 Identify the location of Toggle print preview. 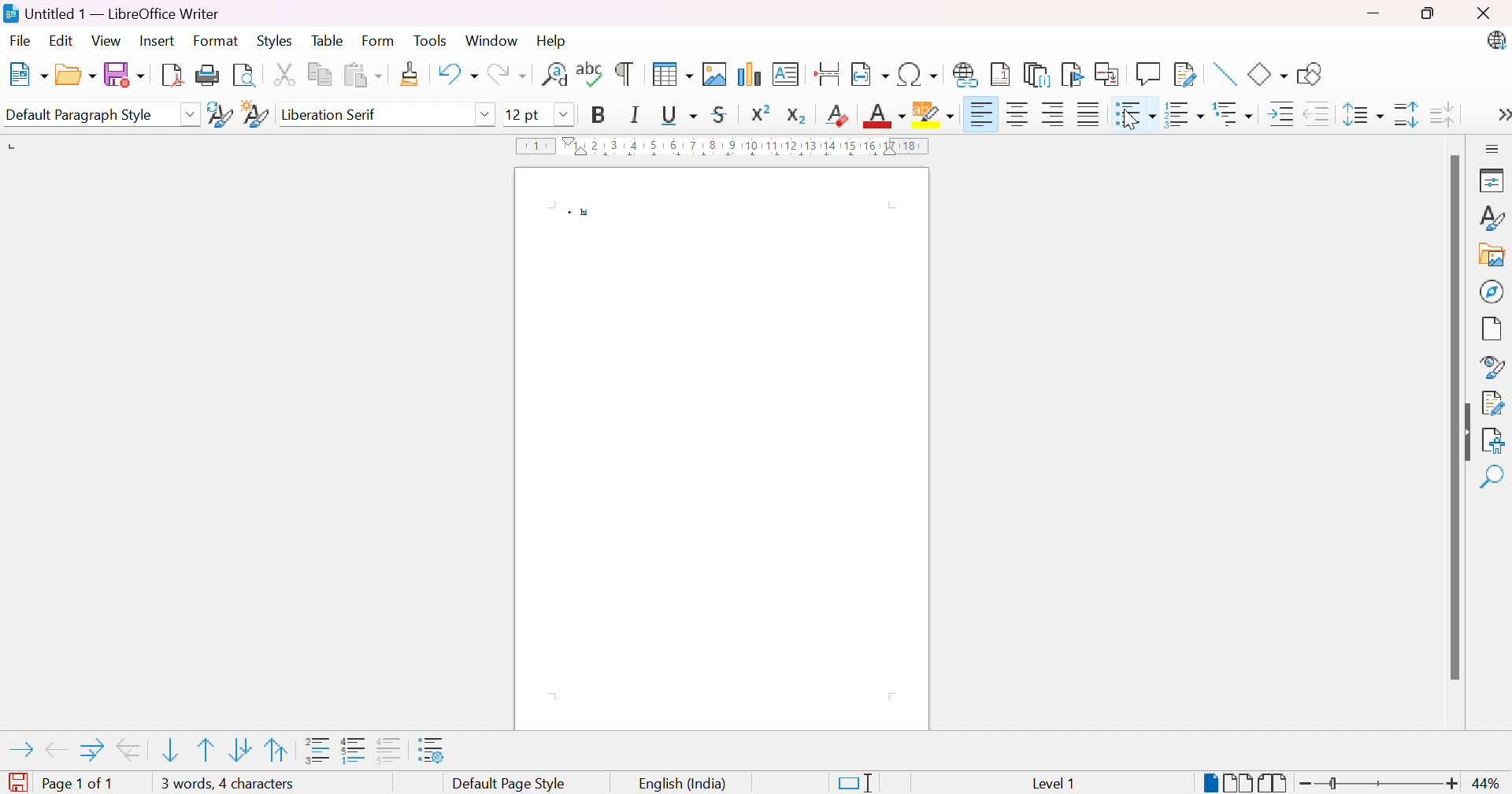
(249, 76).